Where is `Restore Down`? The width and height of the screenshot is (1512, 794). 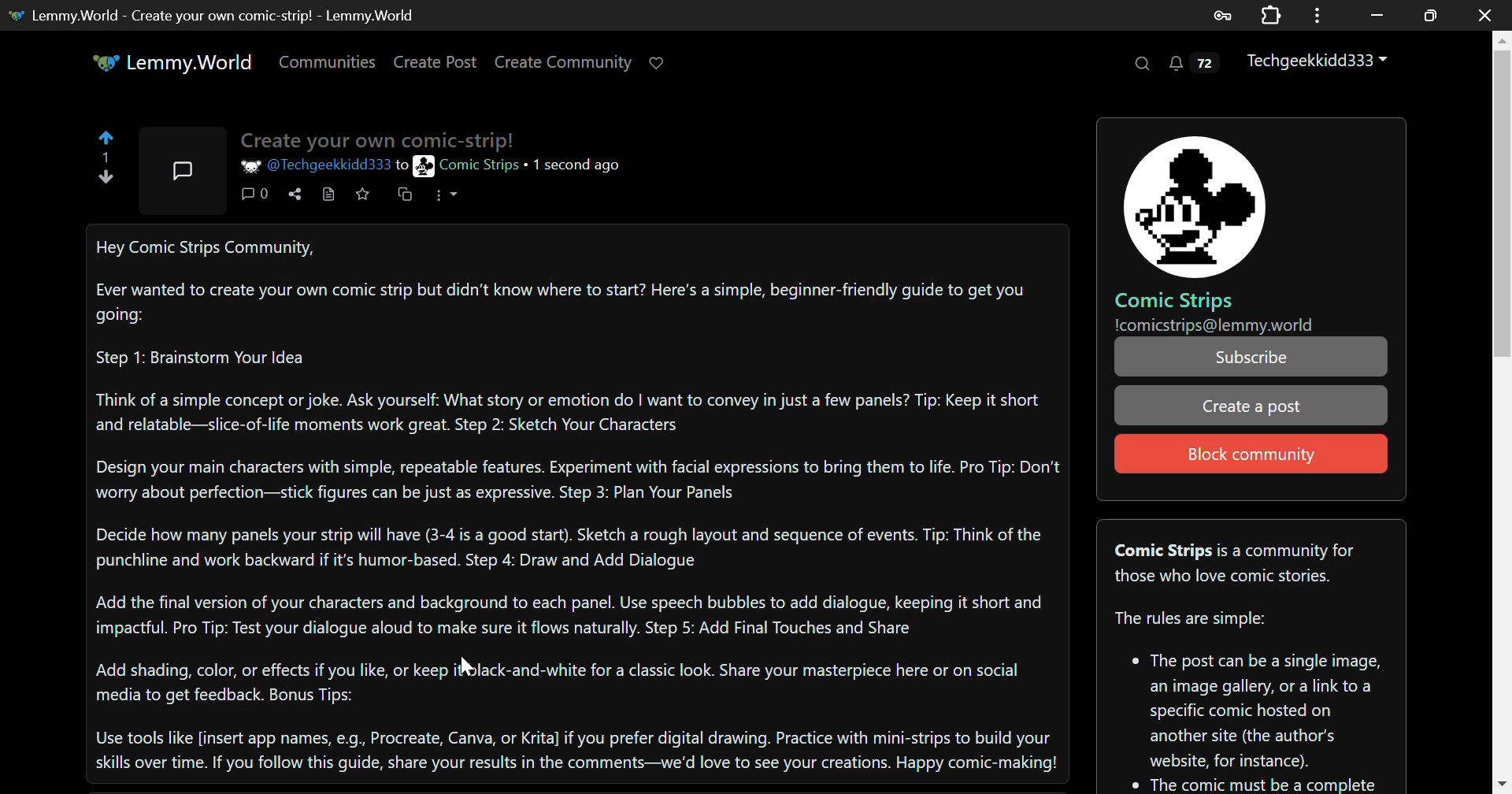
Restore Down is located at coordinates (1378, 13).